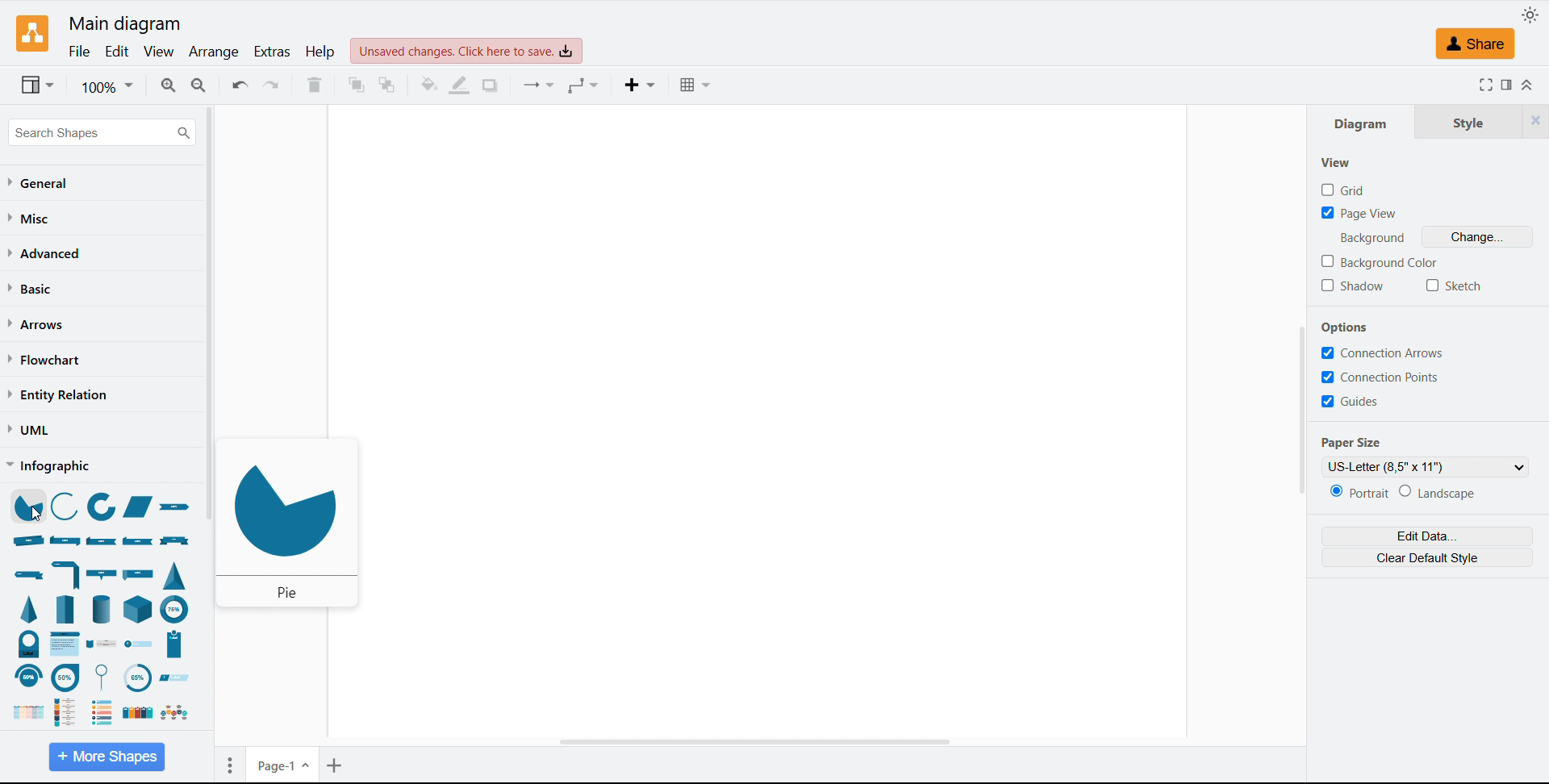  I want to click on connection arrows , so click(1384, 353).